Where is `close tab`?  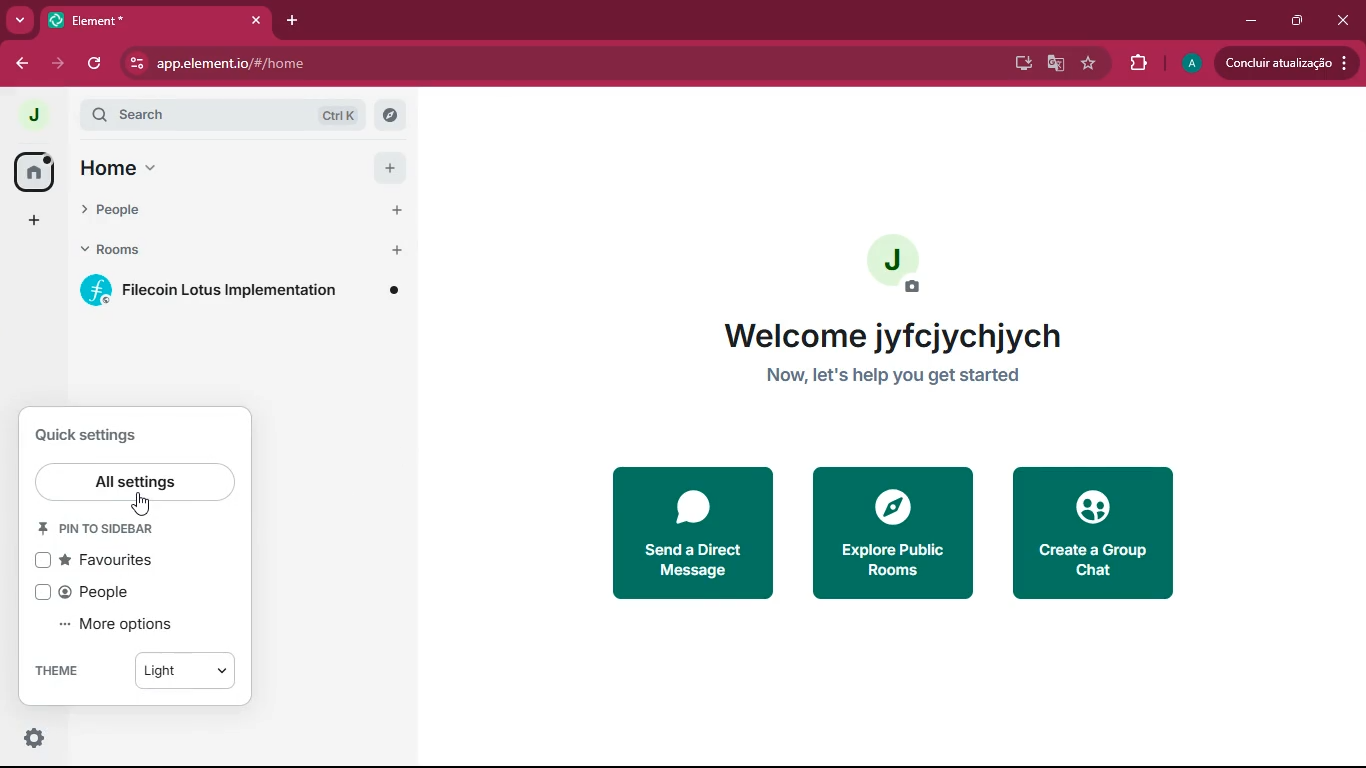
close tab is located at coordinates (256, 20).